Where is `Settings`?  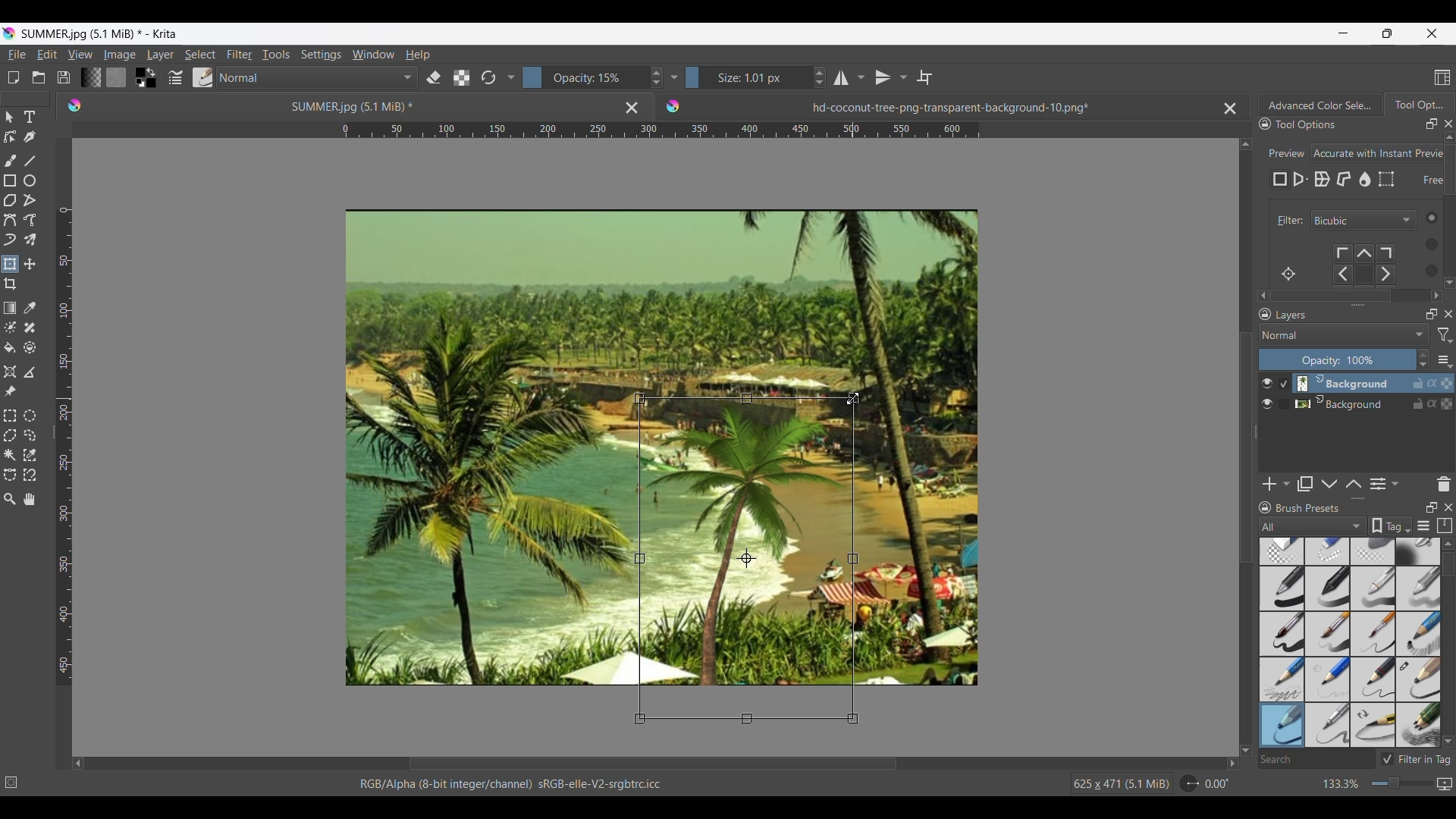 Settings is located at coordinates (321, 54).